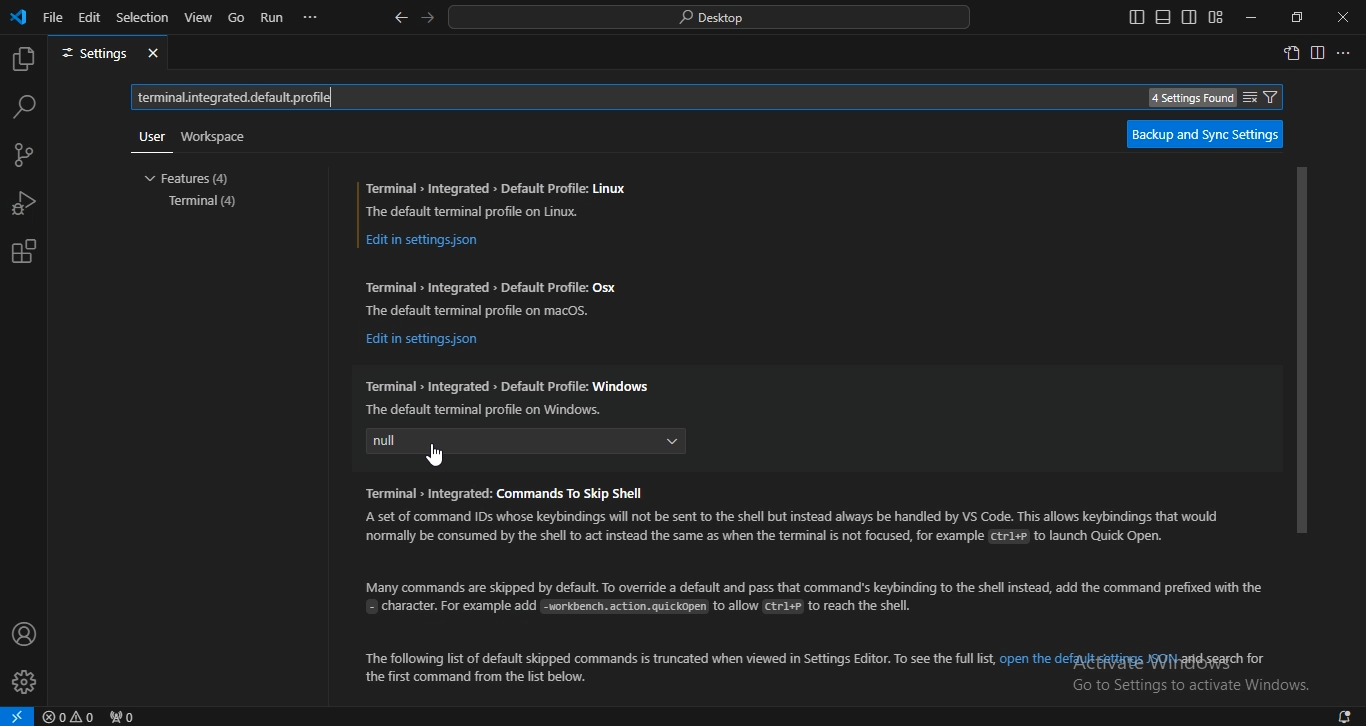 The image size is (1366, 726). I want to click on go forward, so click(431, 17).